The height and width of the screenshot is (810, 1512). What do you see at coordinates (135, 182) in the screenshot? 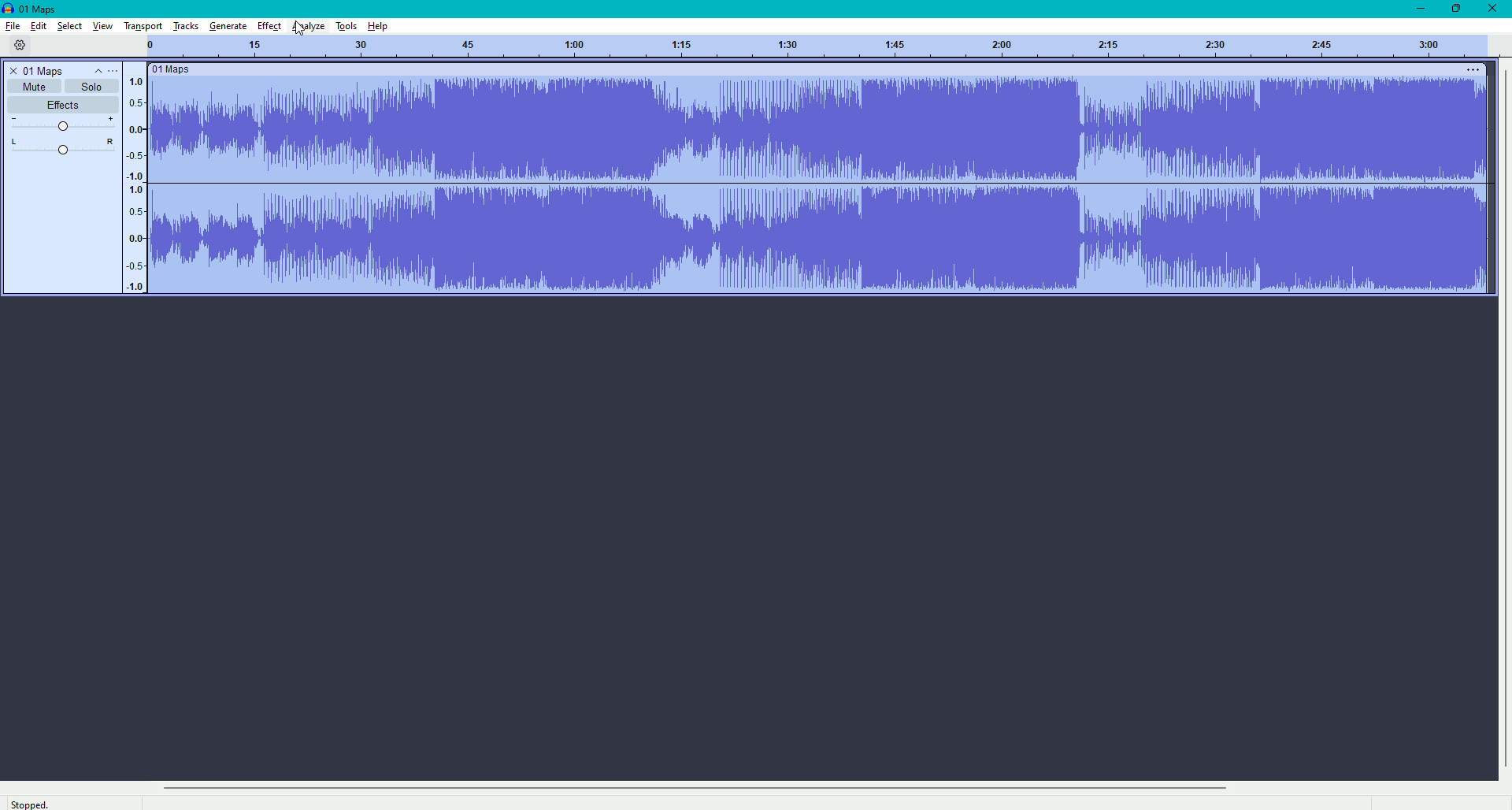
I see `Numbers` at bounding box center [135, 182].